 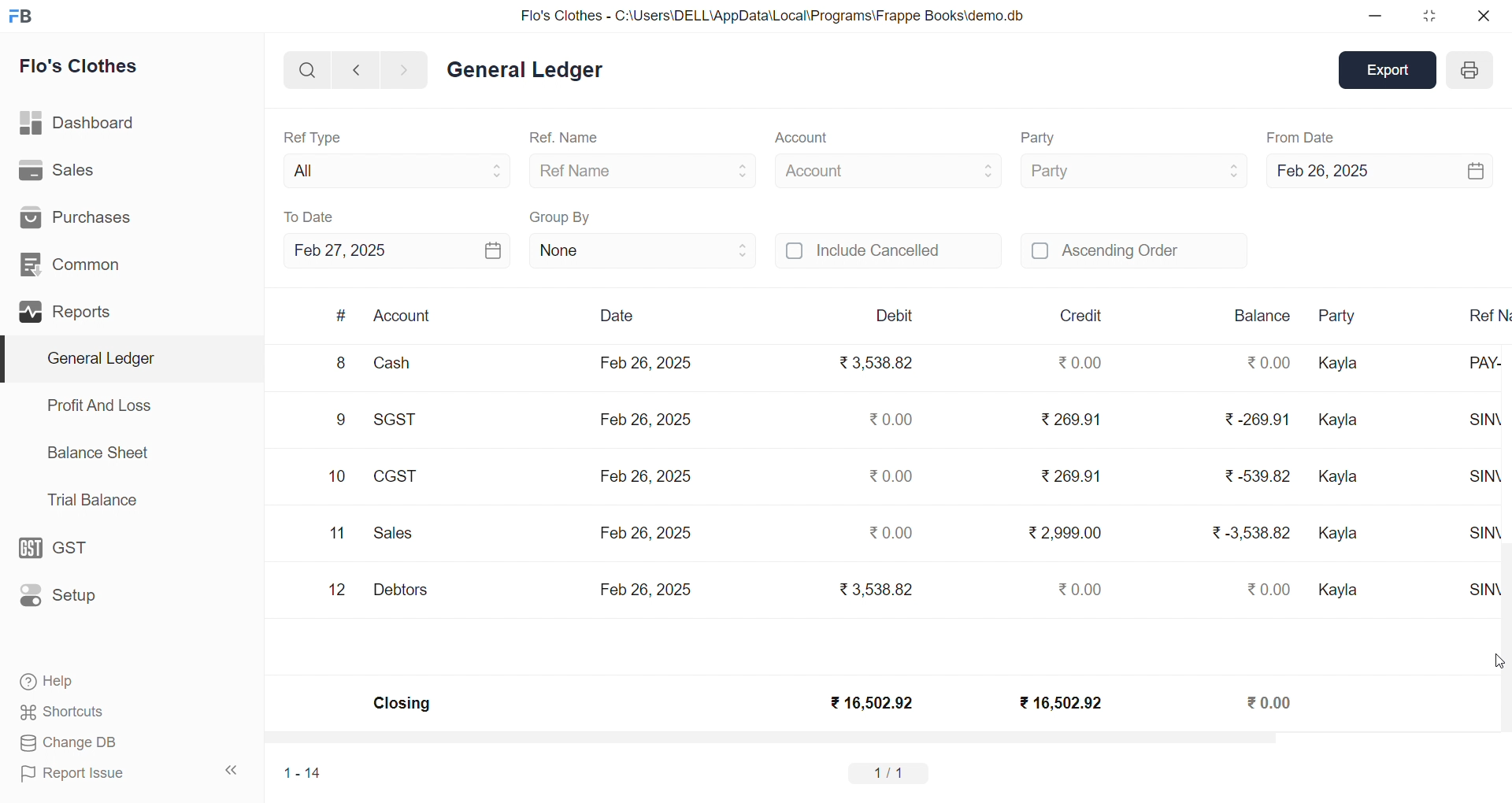 I want to click on Common, so click(x=71, y=262).